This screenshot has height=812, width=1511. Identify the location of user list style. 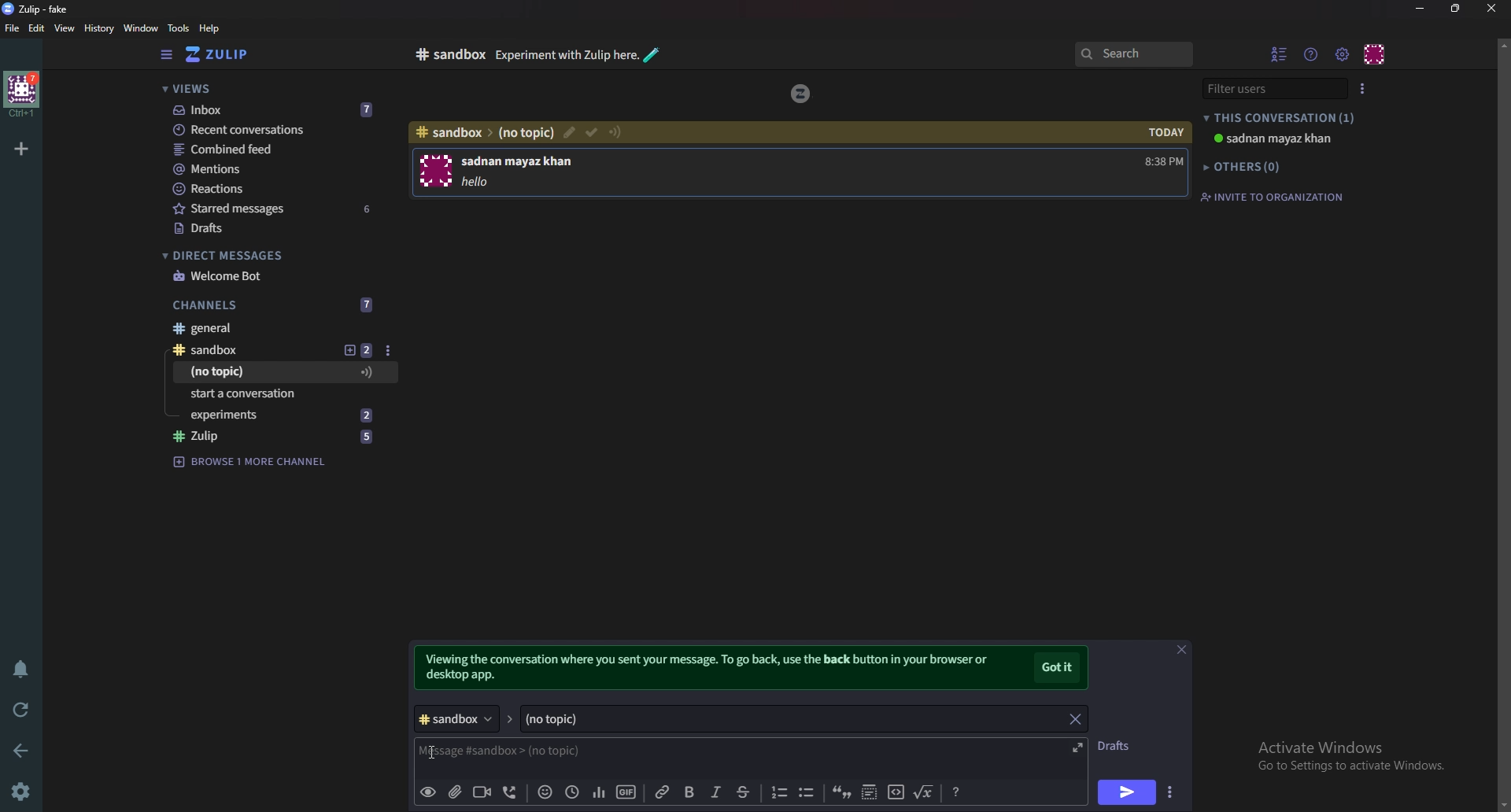
(1365, 87).